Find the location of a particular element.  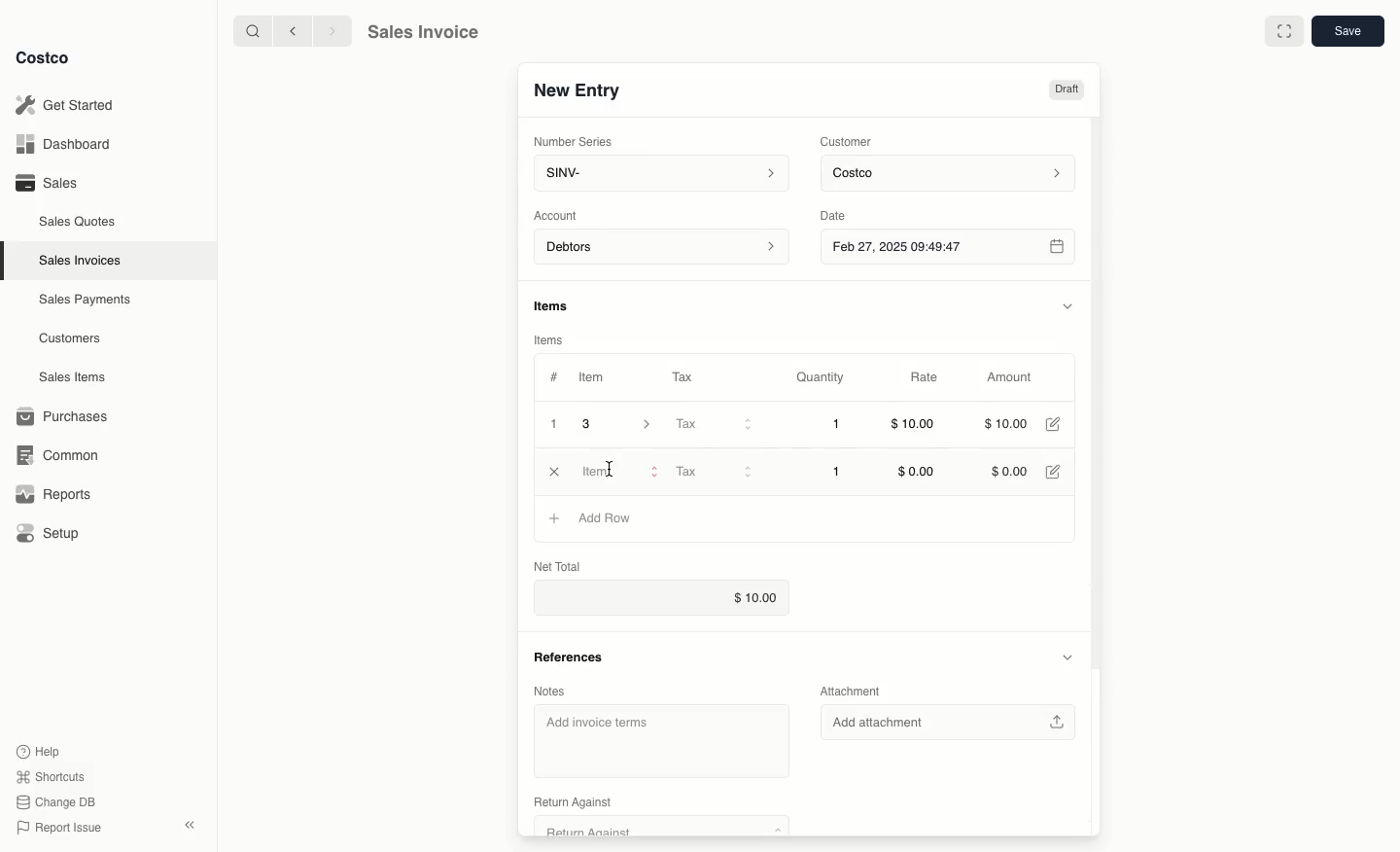

Add is located at coordinates (552, 518).